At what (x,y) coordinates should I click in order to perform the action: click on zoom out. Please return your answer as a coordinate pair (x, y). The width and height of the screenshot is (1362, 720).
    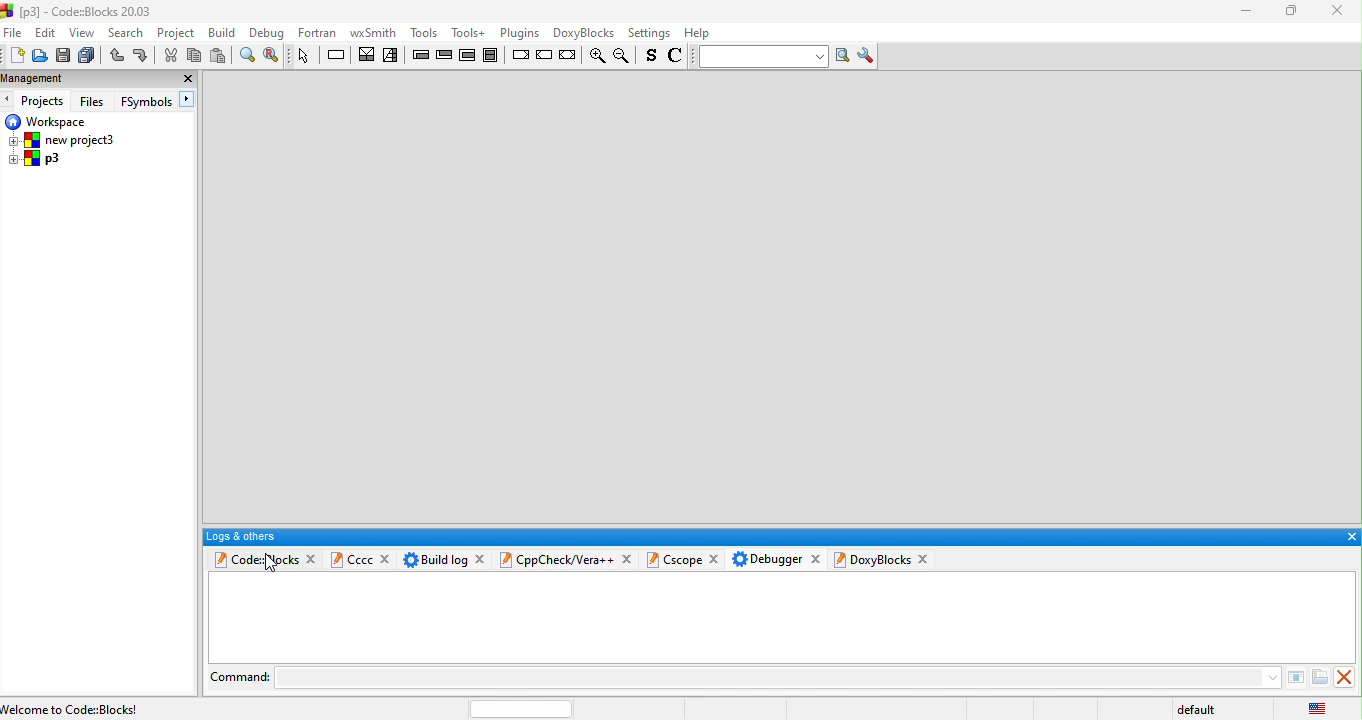
    Looking at the image, I should click on (624, 56).